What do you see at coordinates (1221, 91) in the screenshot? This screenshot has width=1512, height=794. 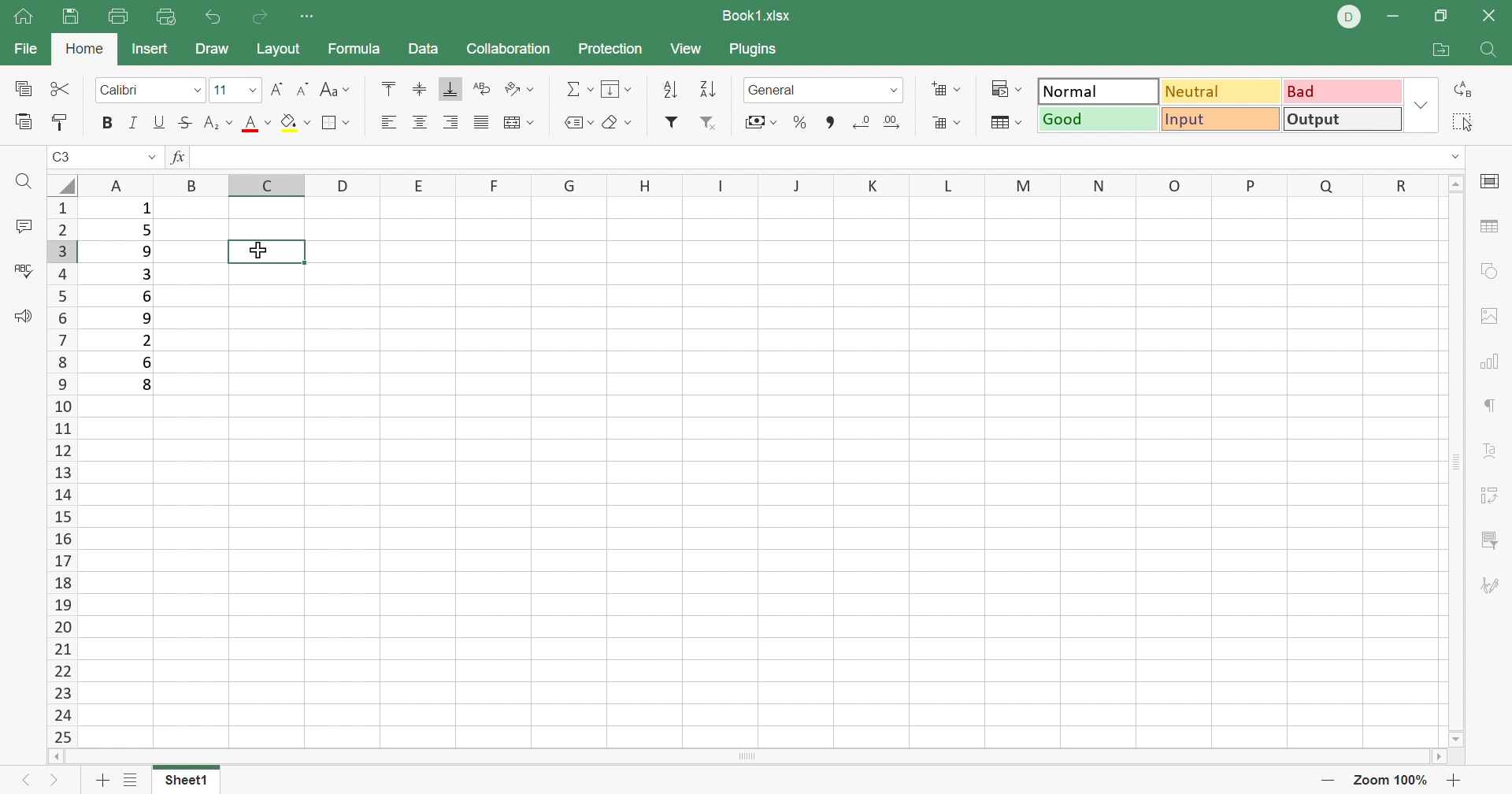 I see `Neutral` at bounding box center [1221, 91].